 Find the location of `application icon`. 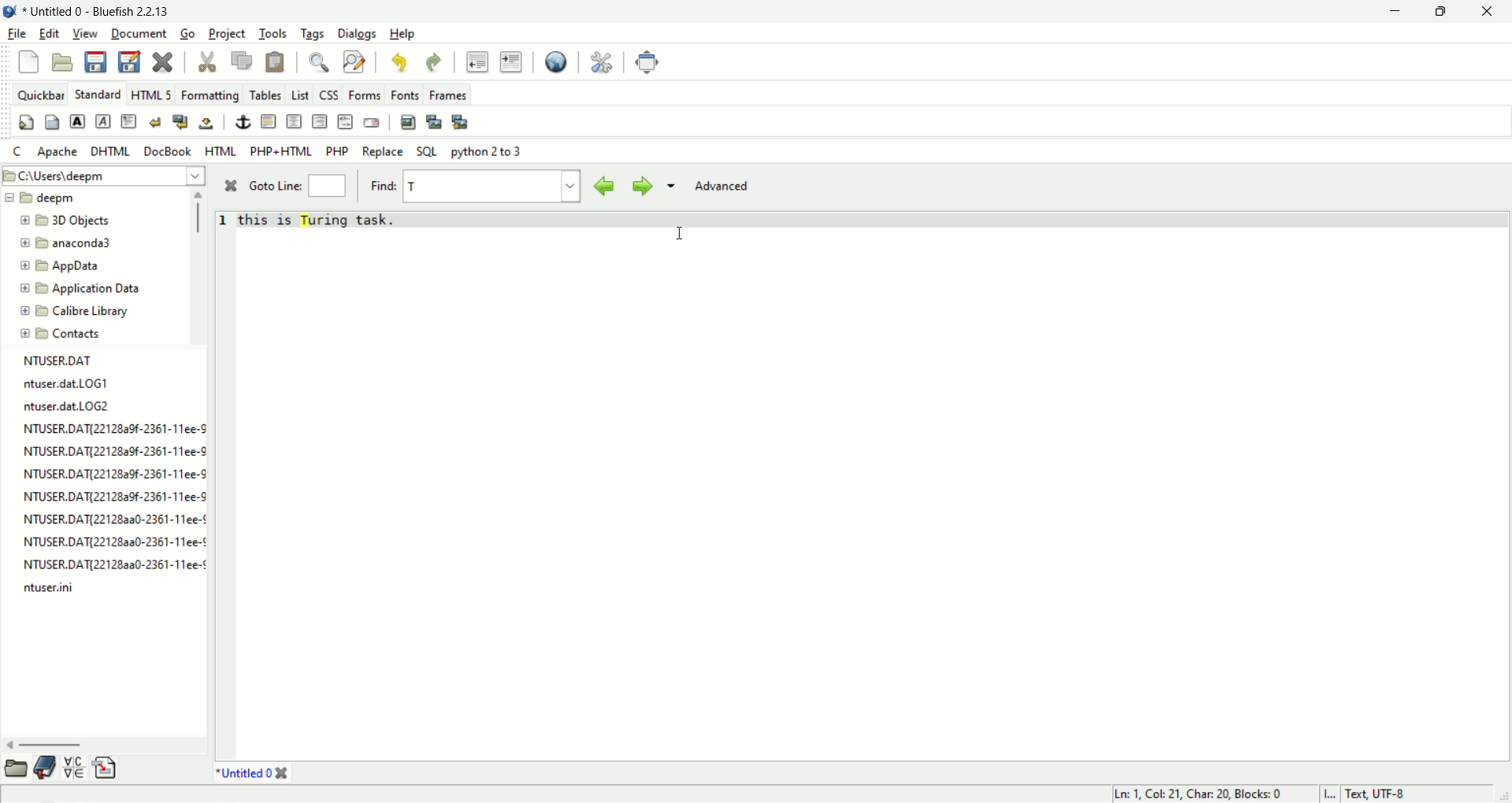

application icon is located at coordinates (9, 9).